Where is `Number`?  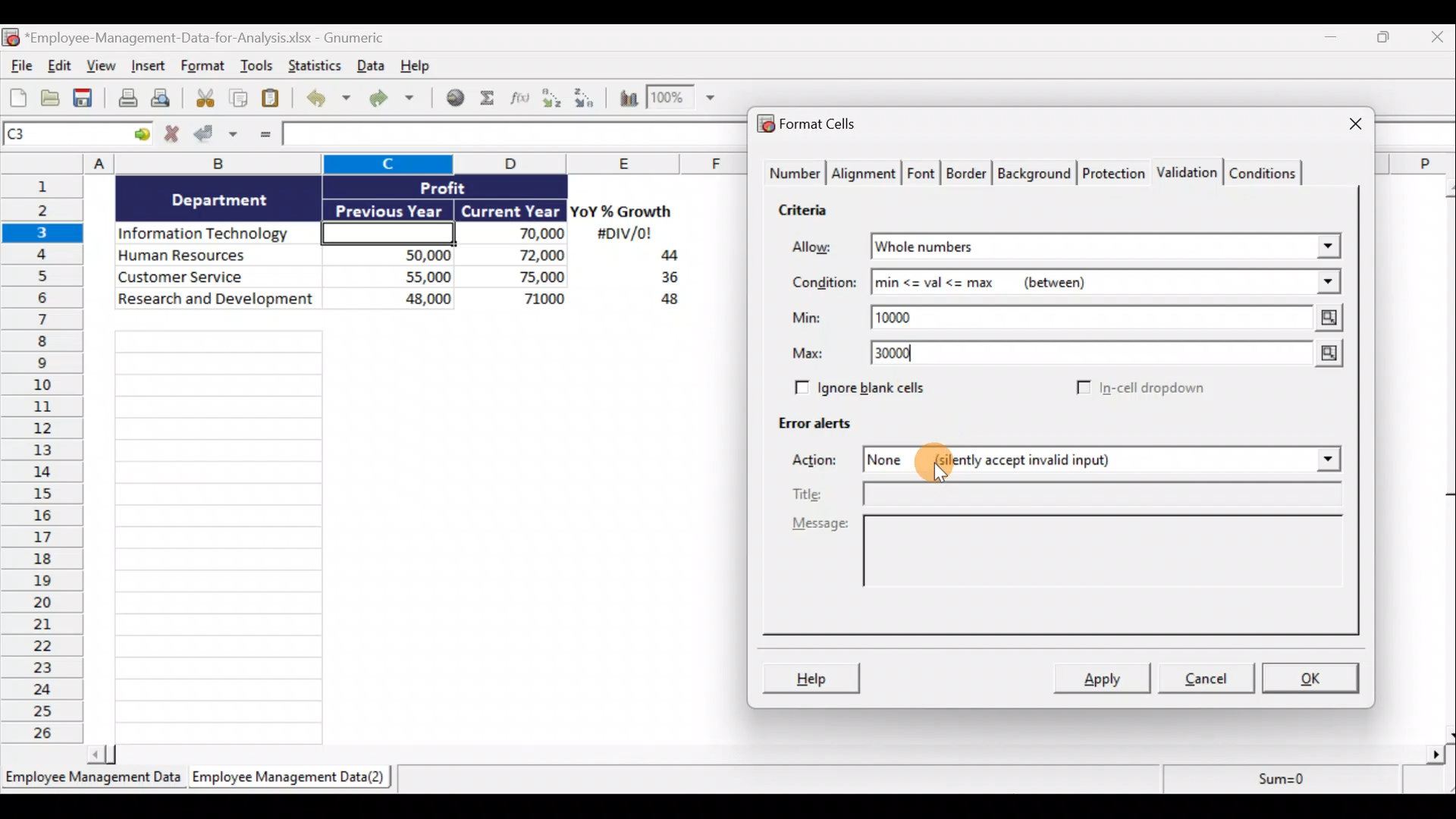
Number is located at coordinates (793, 174).